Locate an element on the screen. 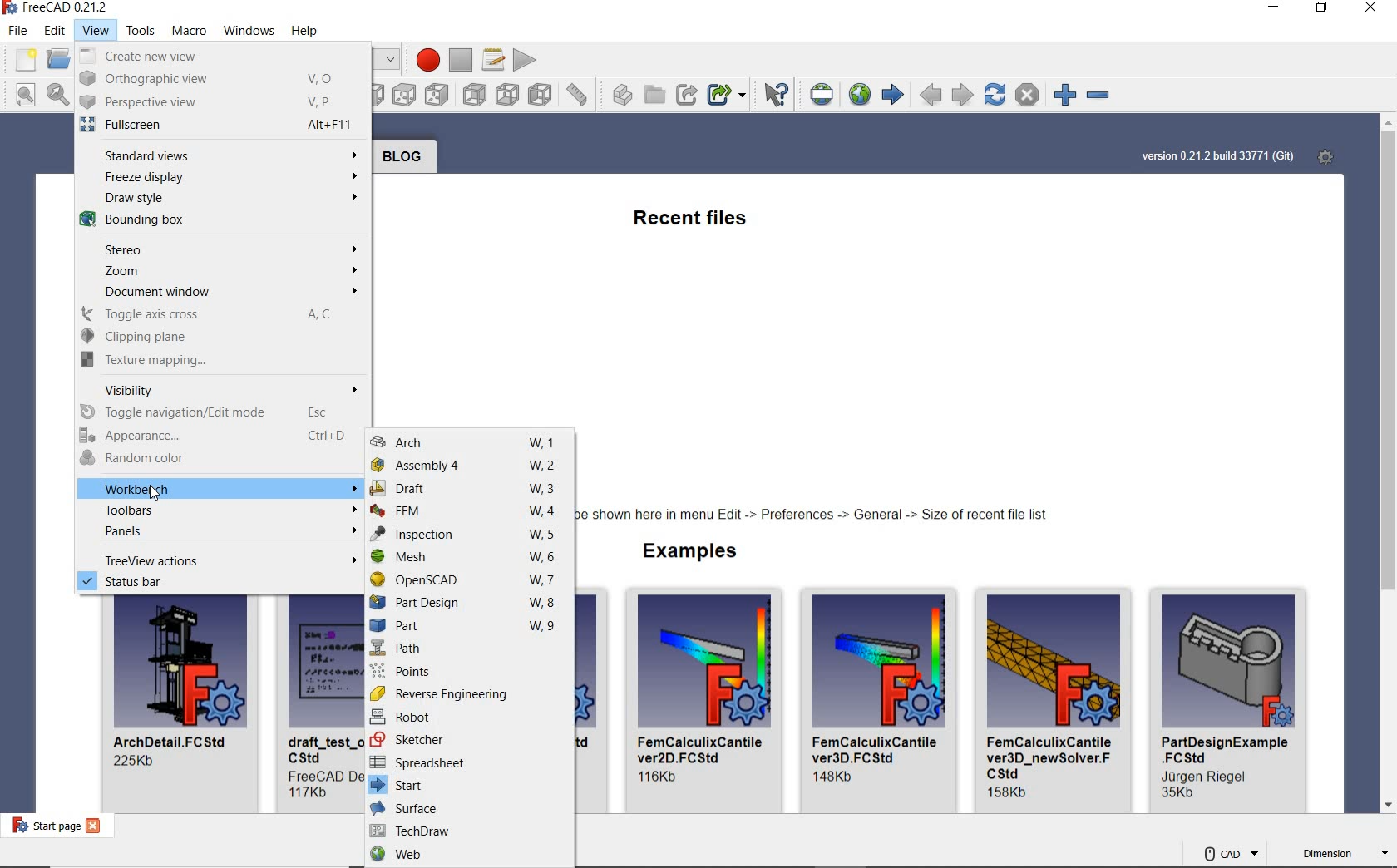 Image resolution: width=1397 pixels, height=868 pixels. treeview actions is located at coordinates (220, 559).